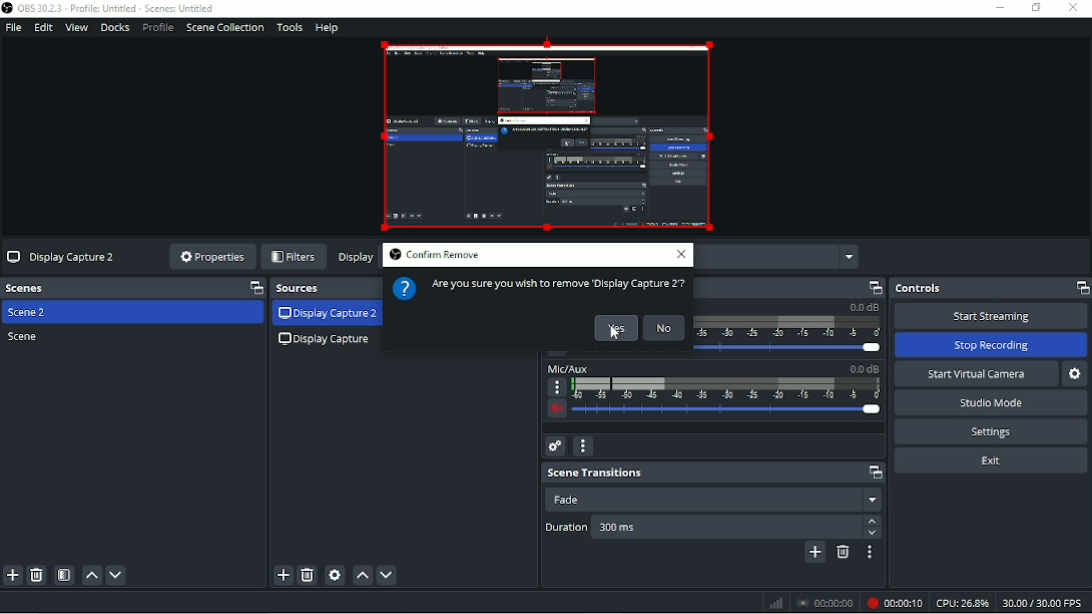 The height and width of the screenshot is (614, 1092). What do you see at coordinates (975, 373) in the screenshot?
I see `Start virtual camera` at bounding box center [975, 373].